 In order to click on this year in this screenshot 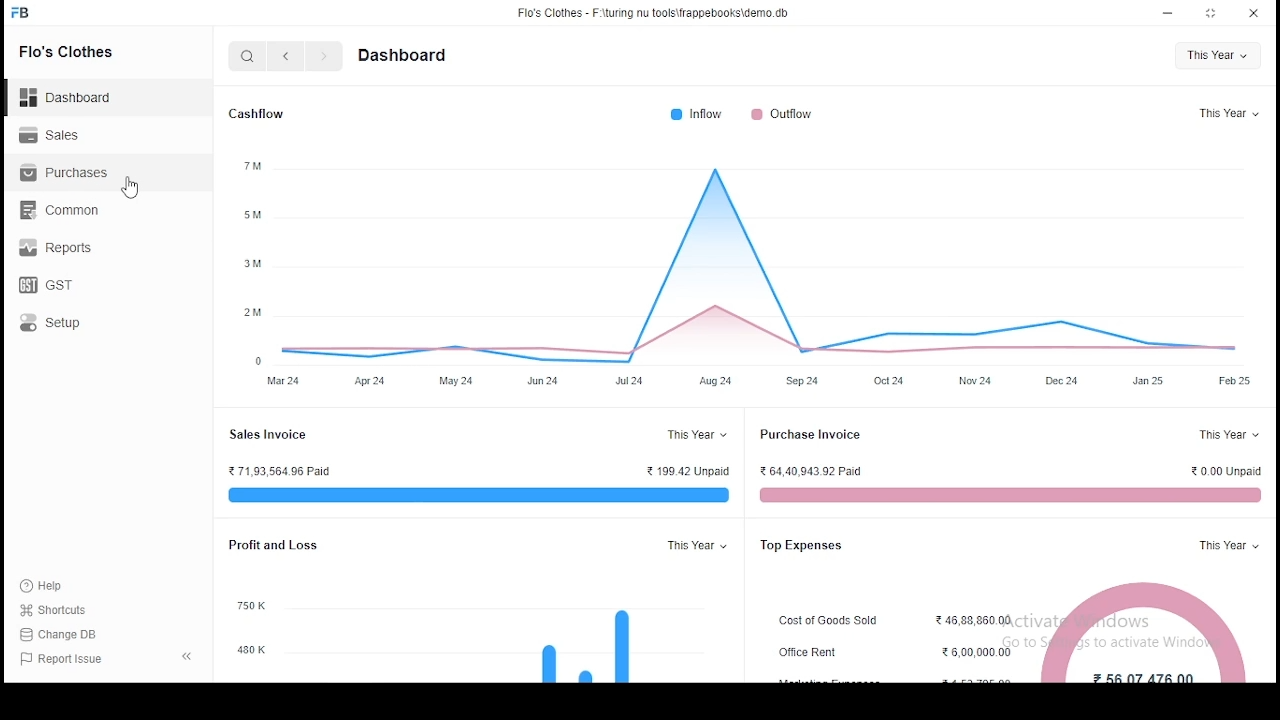, I will do `click(1229, 544)`.